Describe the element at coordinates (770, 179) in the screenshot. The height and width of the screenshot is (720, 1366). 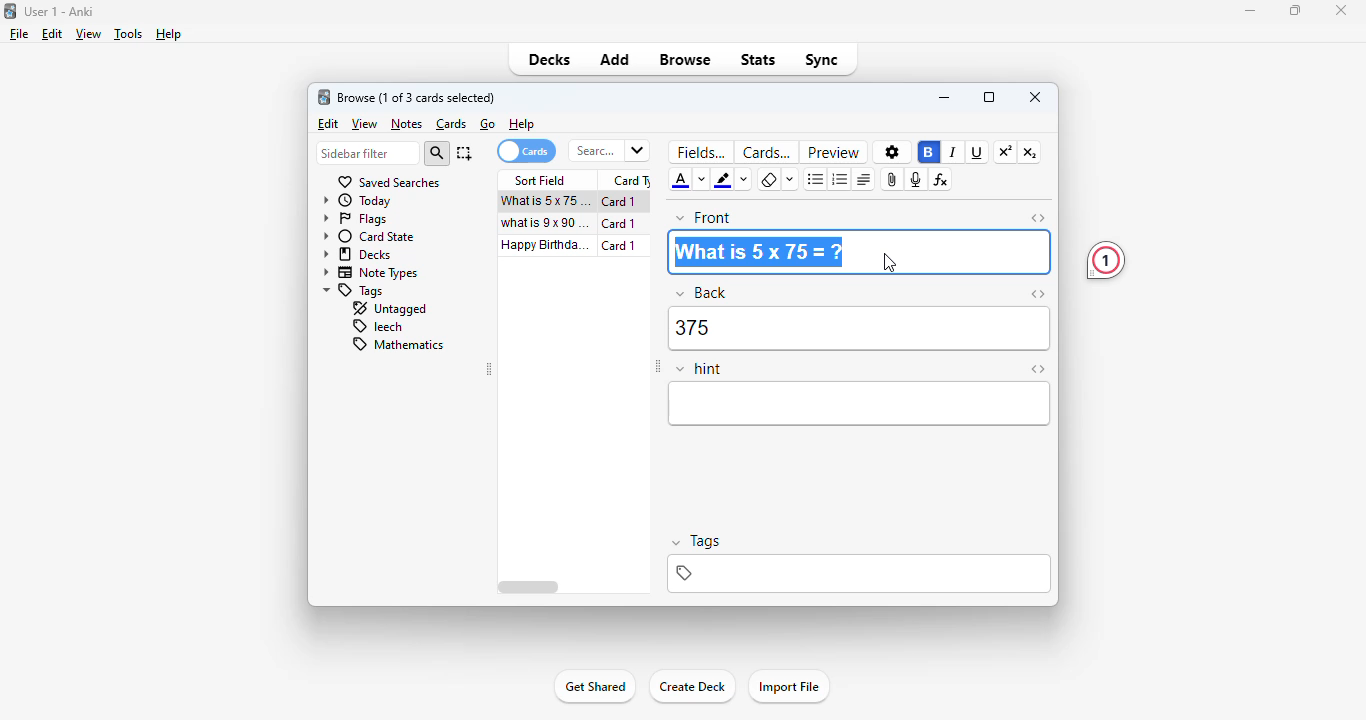
I see `remove formatting` at that location.